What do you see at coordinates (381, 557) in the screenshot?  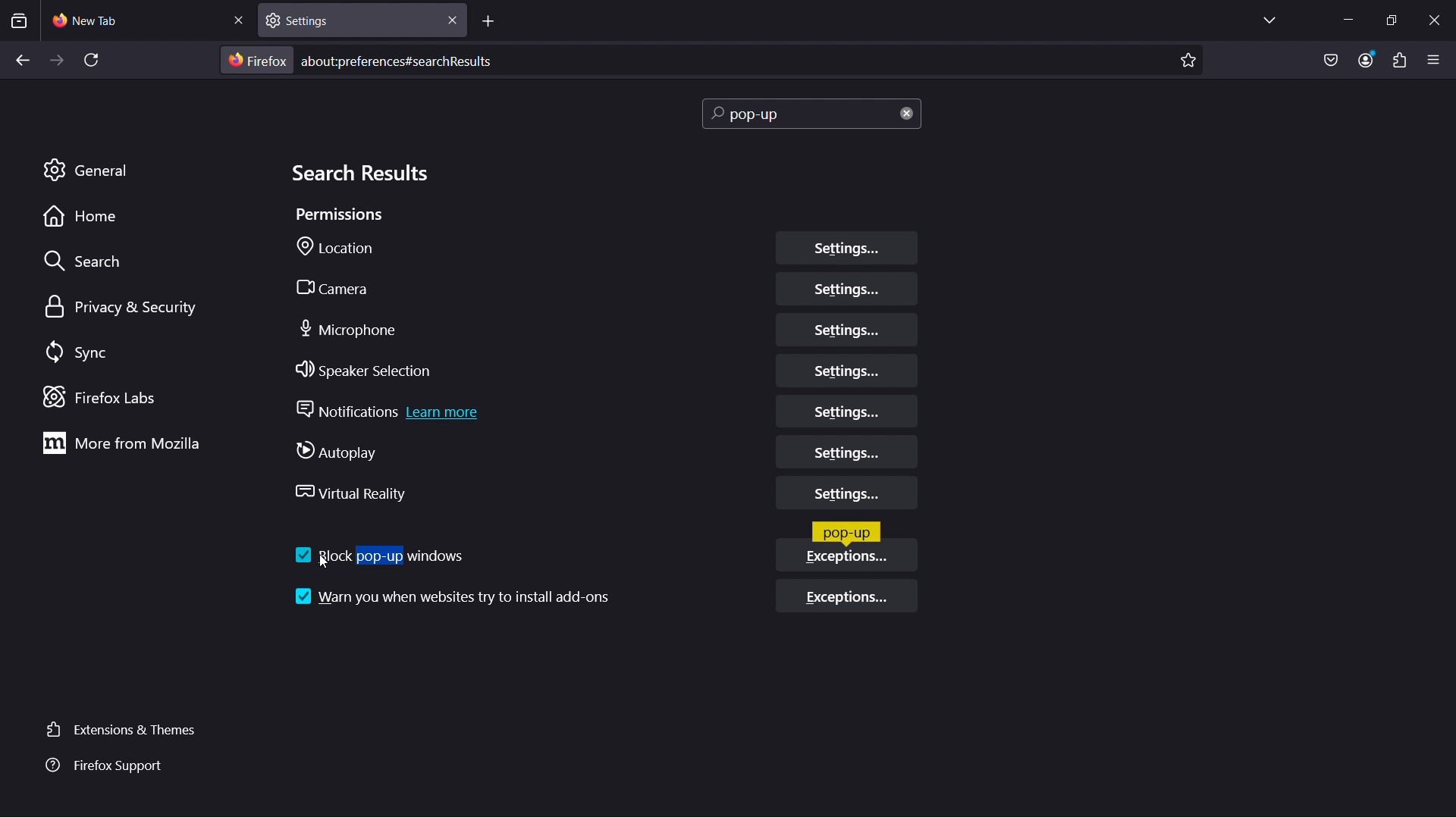 I see `Block pop-up windows (turned on)` at bounding box center [381, 557].